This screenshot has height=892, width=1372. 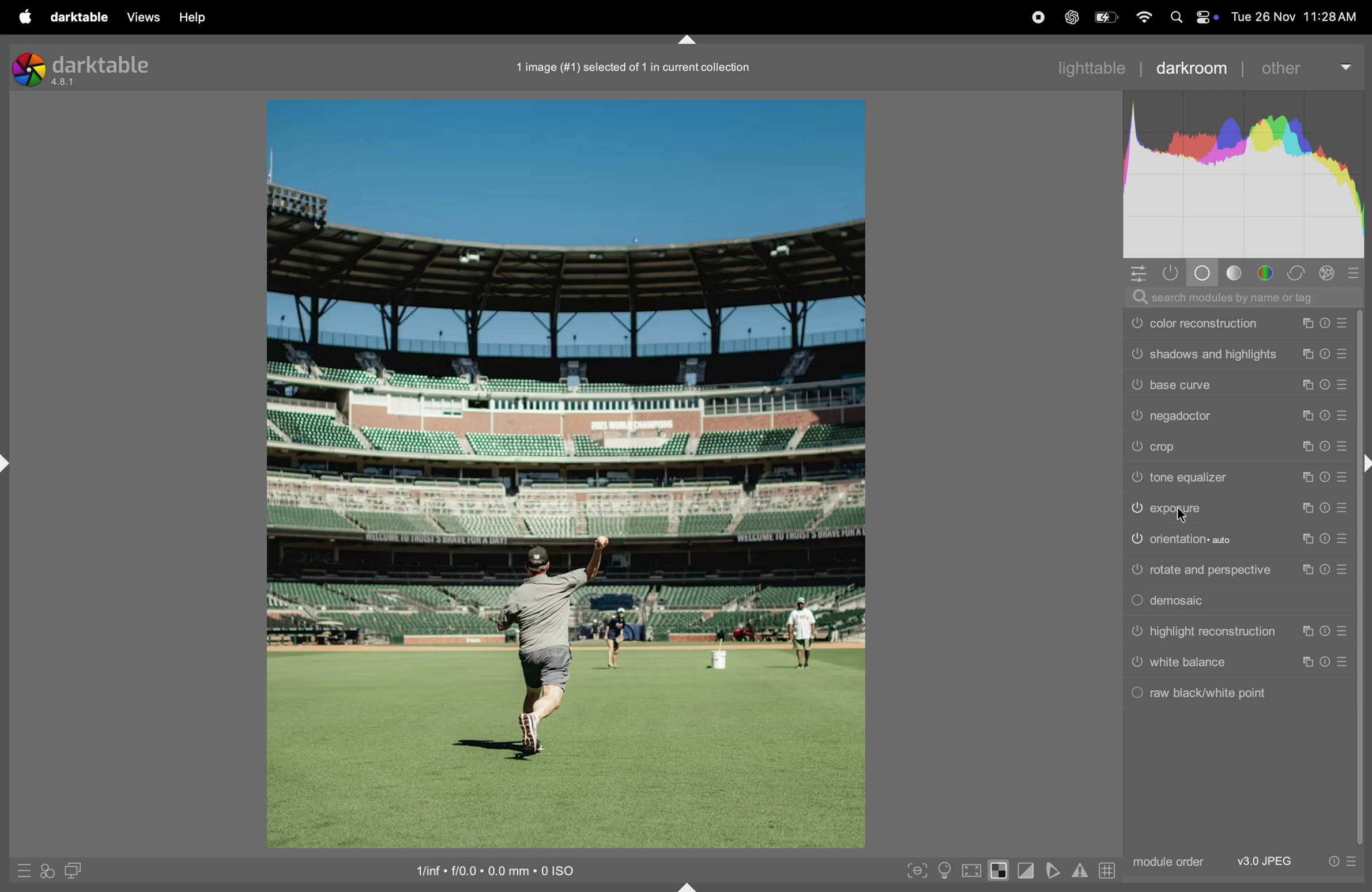 What do you see at coordinates (1344, 415) in the screenshot?
I see `Presets ` at bounding box center [1344, 415].